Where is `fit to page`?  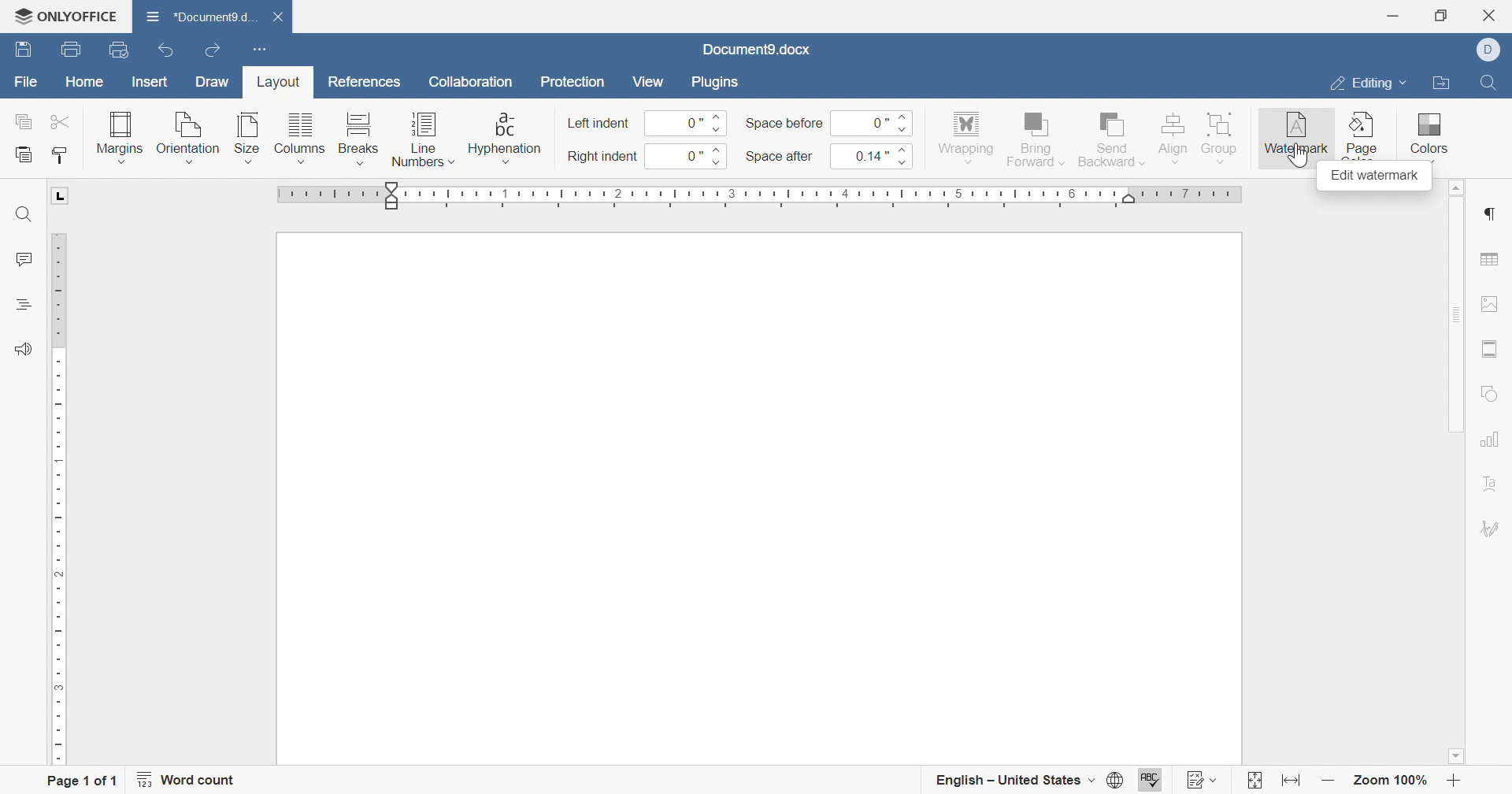 fit to page is located at coordinates (1253, 783).